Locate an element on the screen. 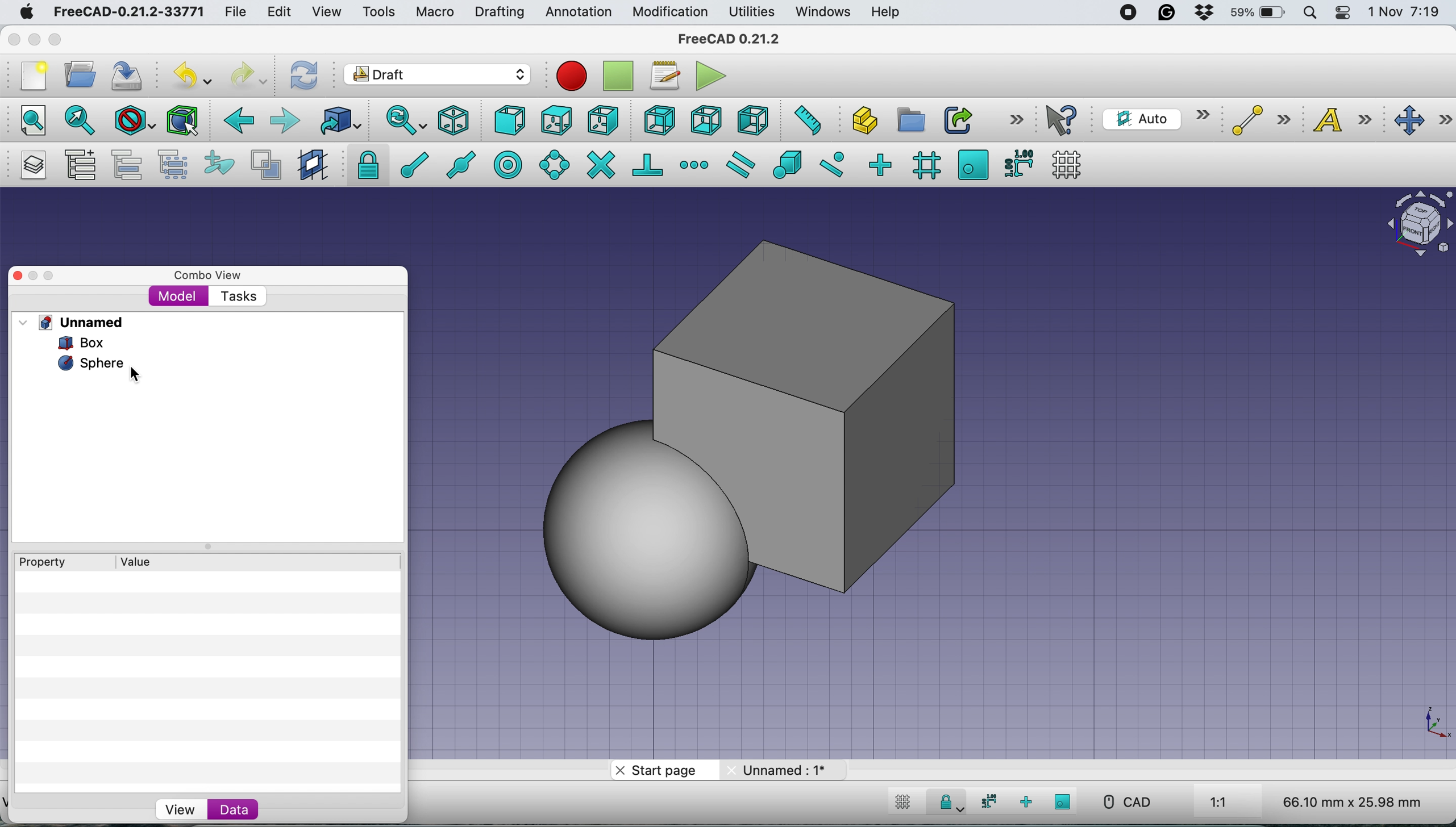 This screenshot has width=1456, height=827. close is located at coordinates (14, 36).